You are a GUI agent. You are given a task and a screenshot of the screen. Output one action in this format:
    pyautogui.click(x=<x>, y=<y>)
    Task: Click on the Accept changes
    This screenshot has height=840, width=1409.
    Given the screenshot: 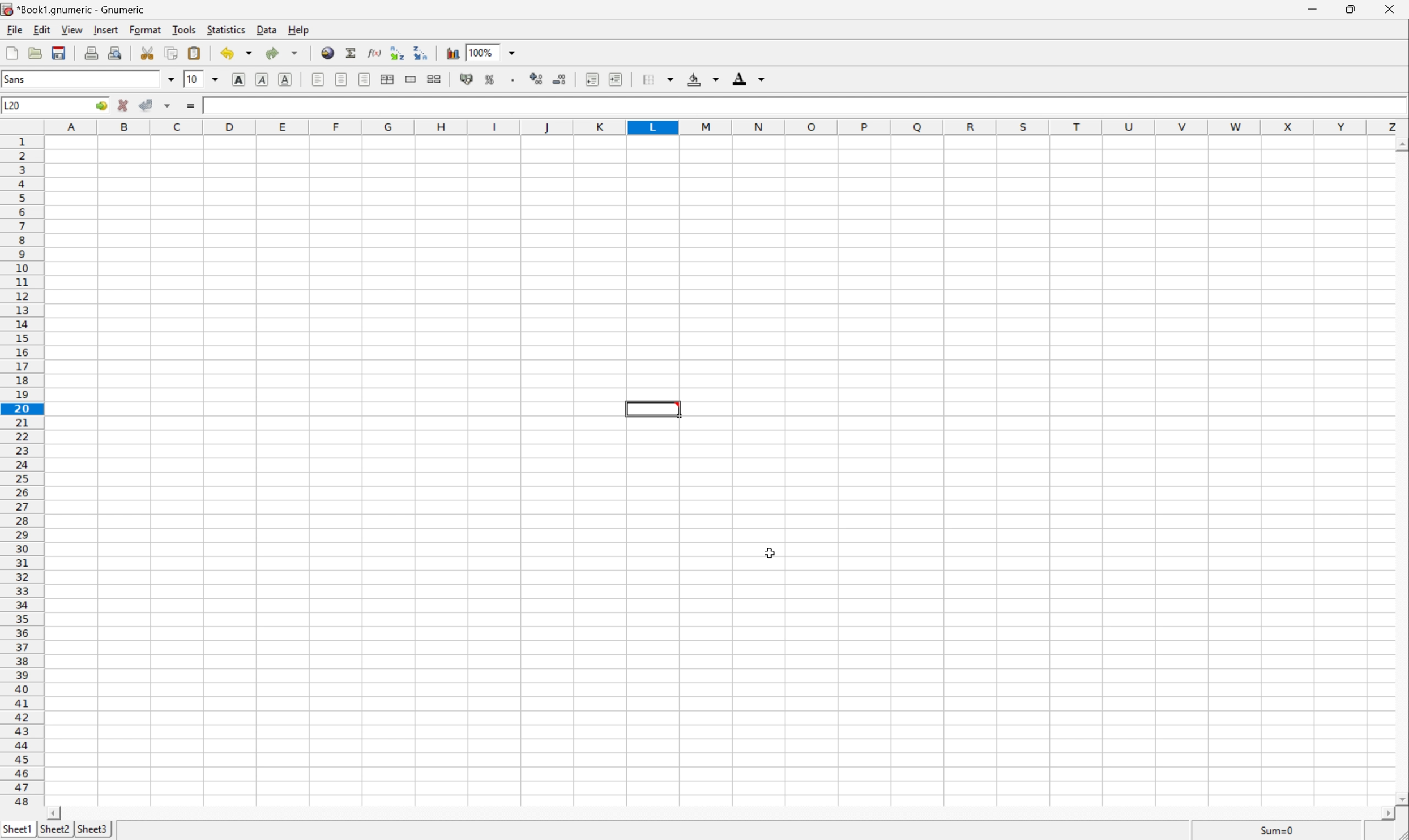 What is the action you would take?
    pyautogui.click(x=146, y=106)
    